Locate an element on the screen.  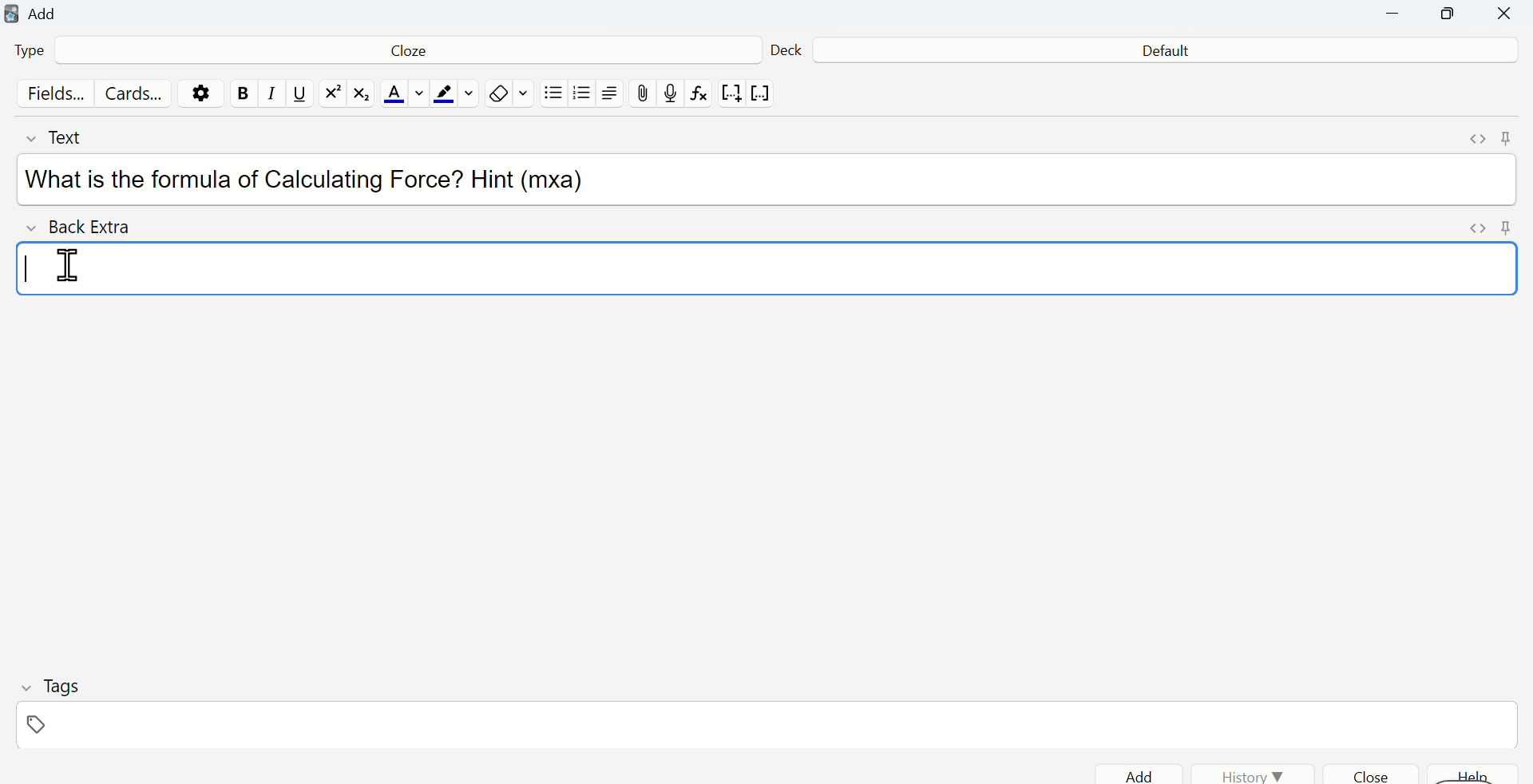
exponential is located at coordinates (332, 94).